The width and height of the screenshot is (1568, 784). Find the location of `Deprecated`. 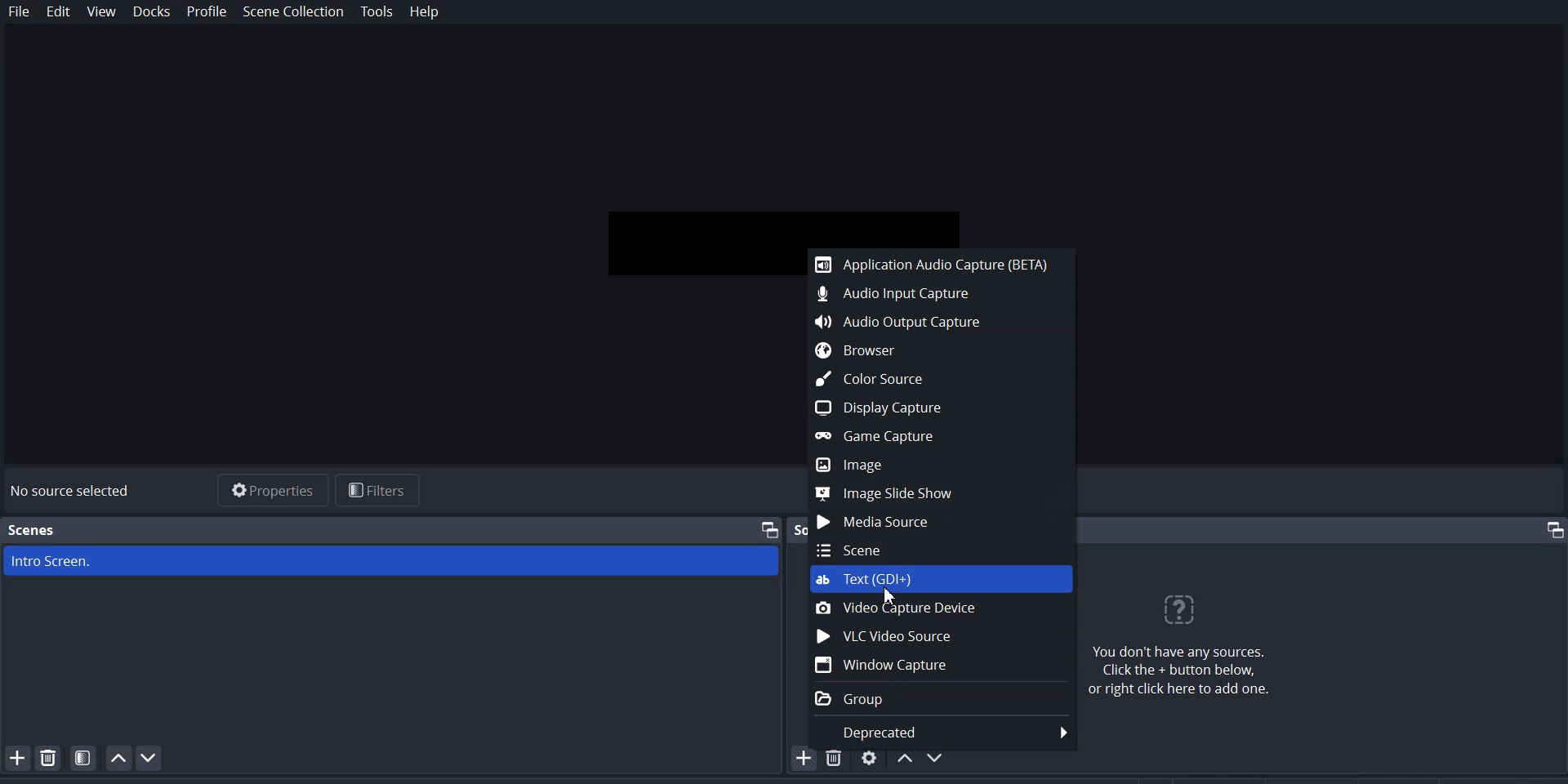

Deprecated is located at coordinates (940, 728).